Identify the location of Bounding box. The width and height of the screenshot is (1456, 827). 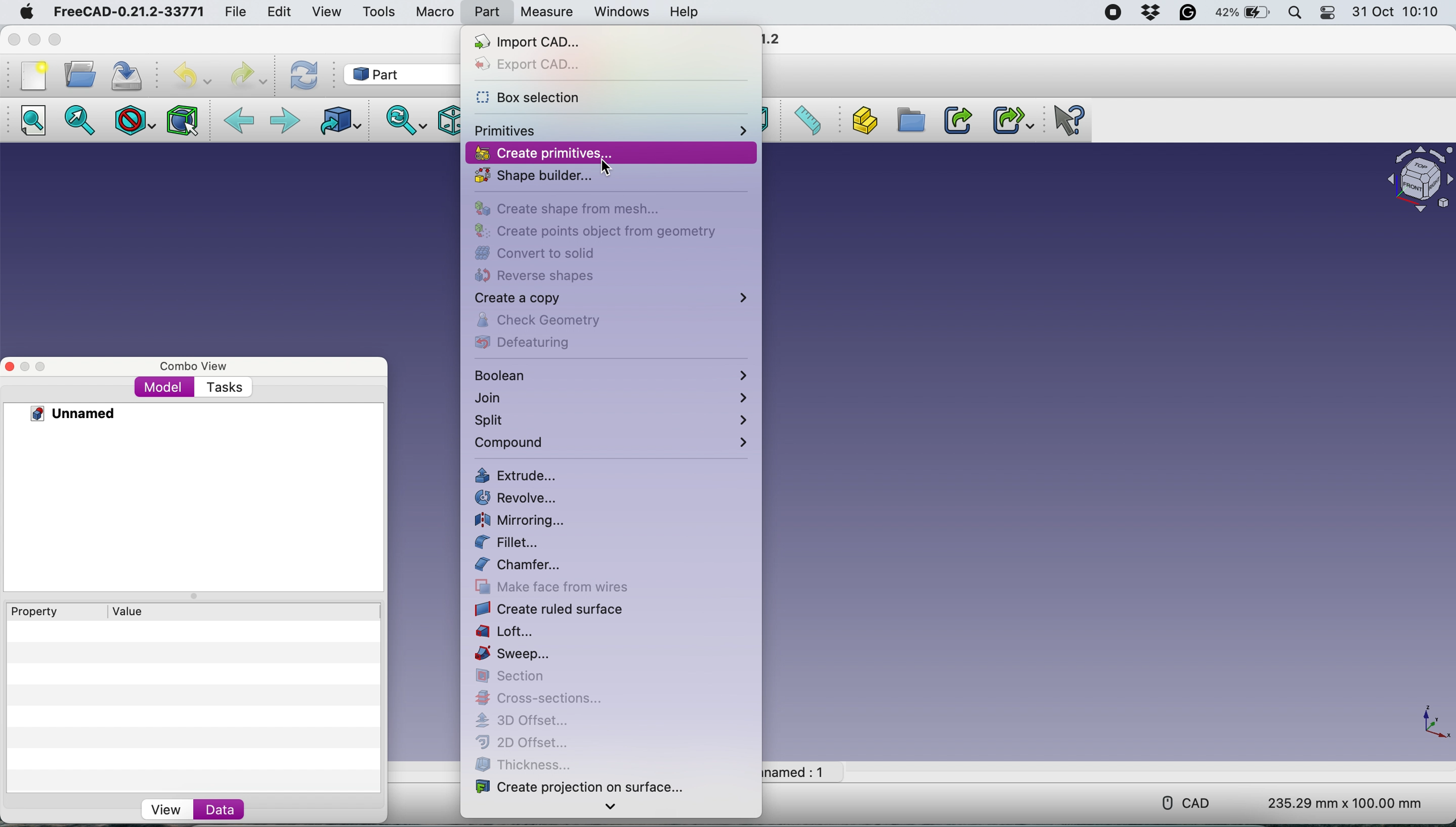
(182, 121).